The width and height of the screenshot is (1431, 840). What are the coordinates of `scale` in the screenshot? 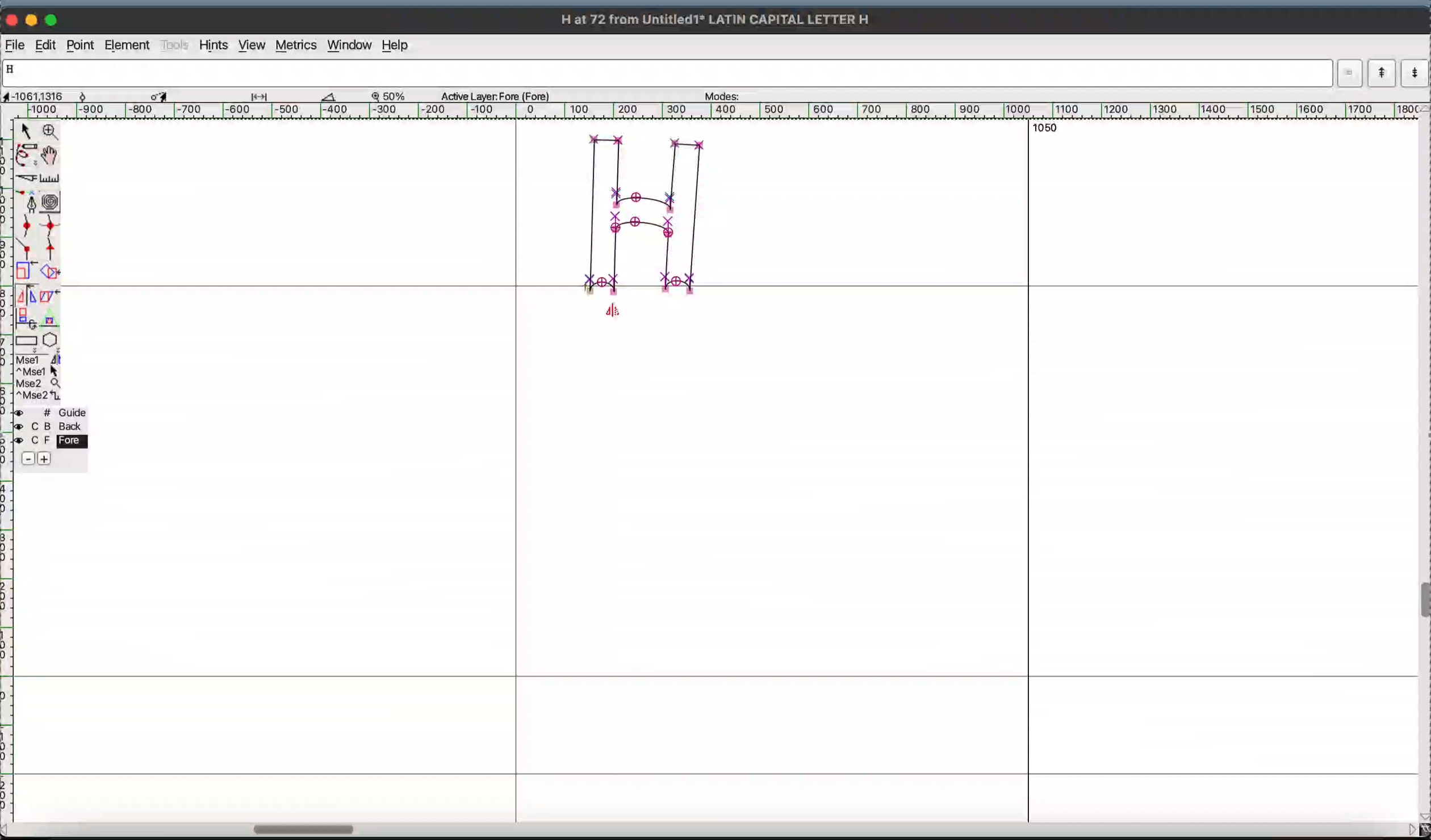 It's located at (26, 271).